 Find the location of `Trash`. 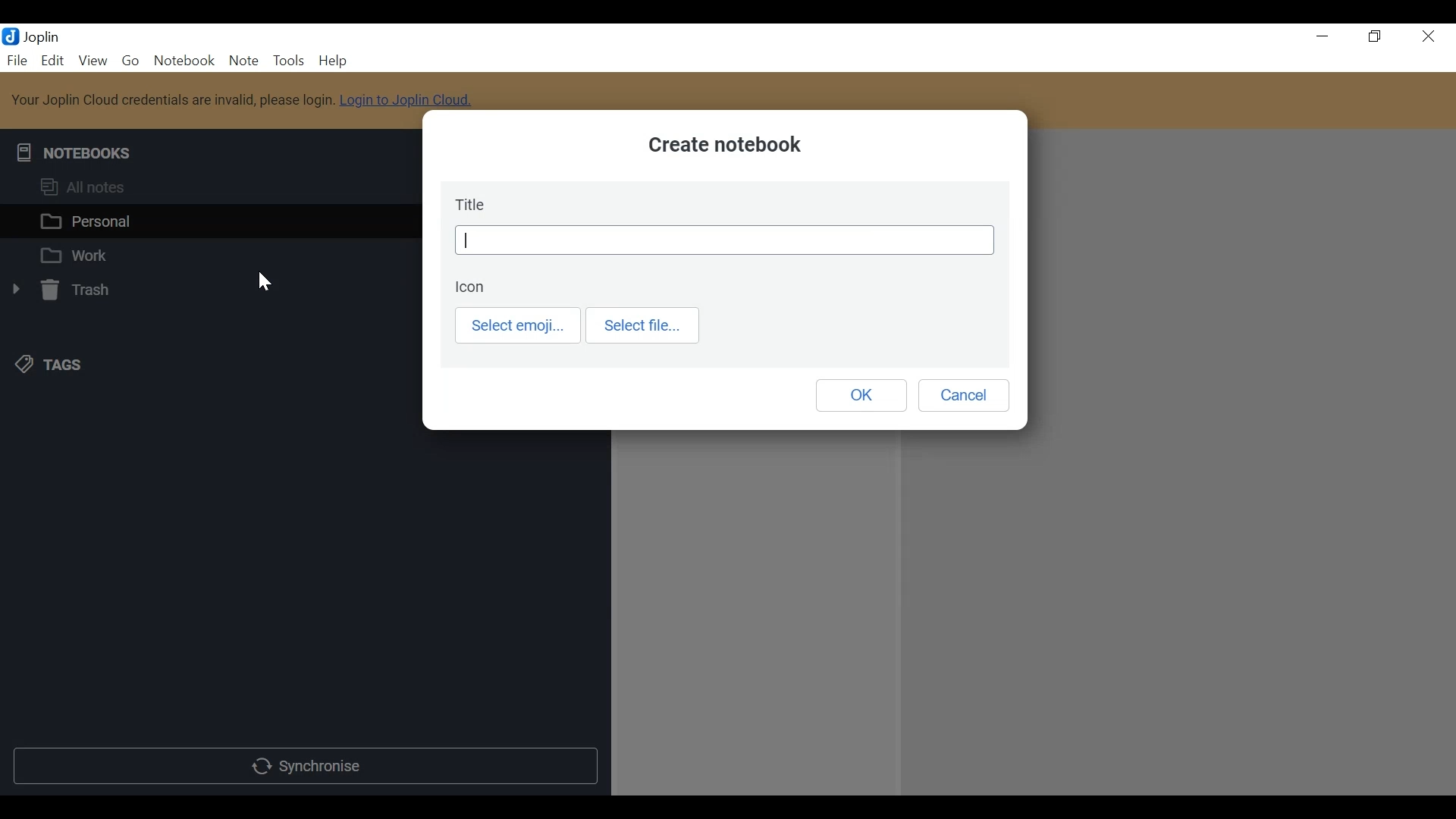

Trash is located at coordinates (64, 292).